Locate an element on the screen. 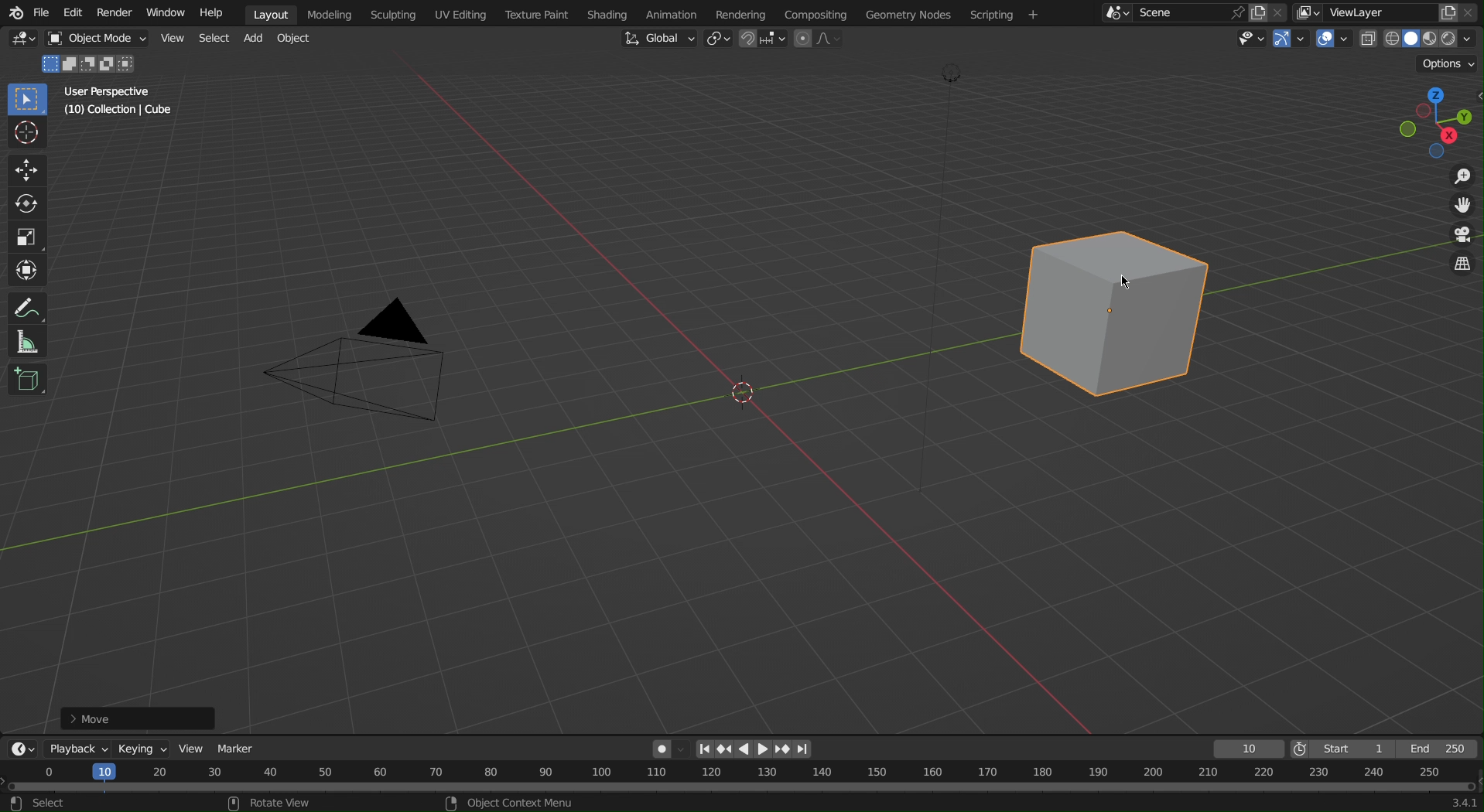 The image size is (1484, 812). Playback is located at coordinates (74, 749).